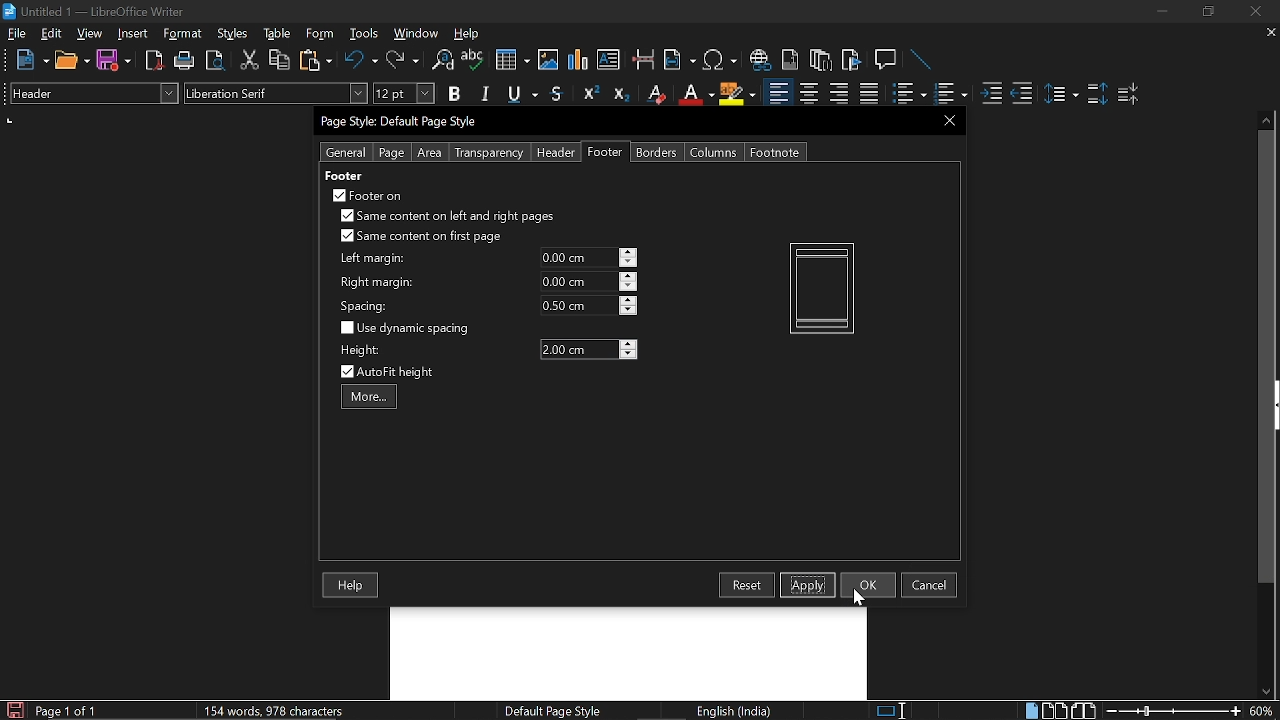 The image size is (1280, 720). Describe the element at coordinates (277, 93) in the screenshot. I see `Text style` at that location.